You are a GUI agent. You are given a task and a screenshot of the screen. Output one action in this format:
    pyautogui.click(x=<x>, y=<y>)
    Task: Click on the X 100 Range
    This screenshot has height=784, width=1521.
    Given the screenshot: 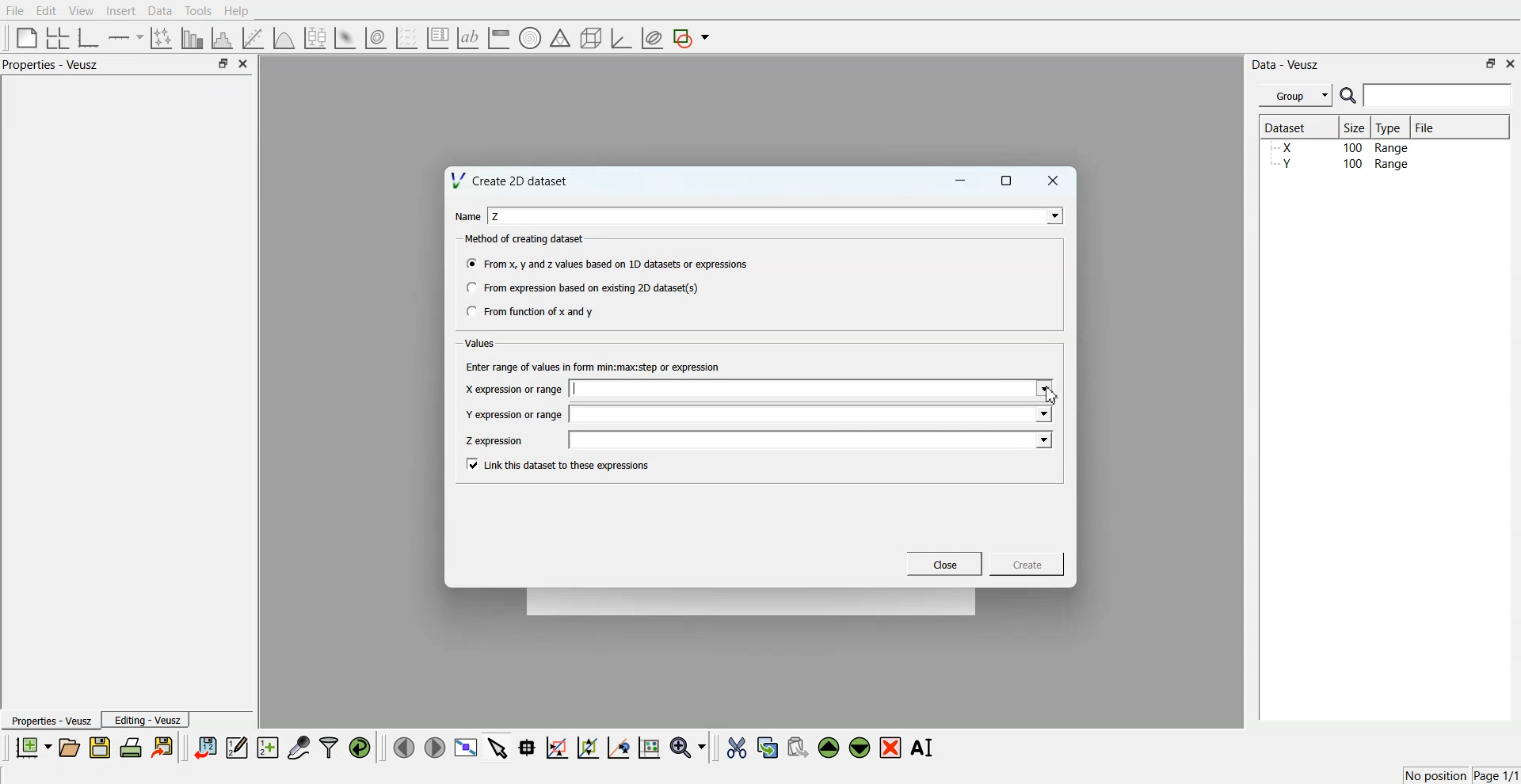 What is the action you would take?
    pyautogui.click(x=1341, y=147)
    